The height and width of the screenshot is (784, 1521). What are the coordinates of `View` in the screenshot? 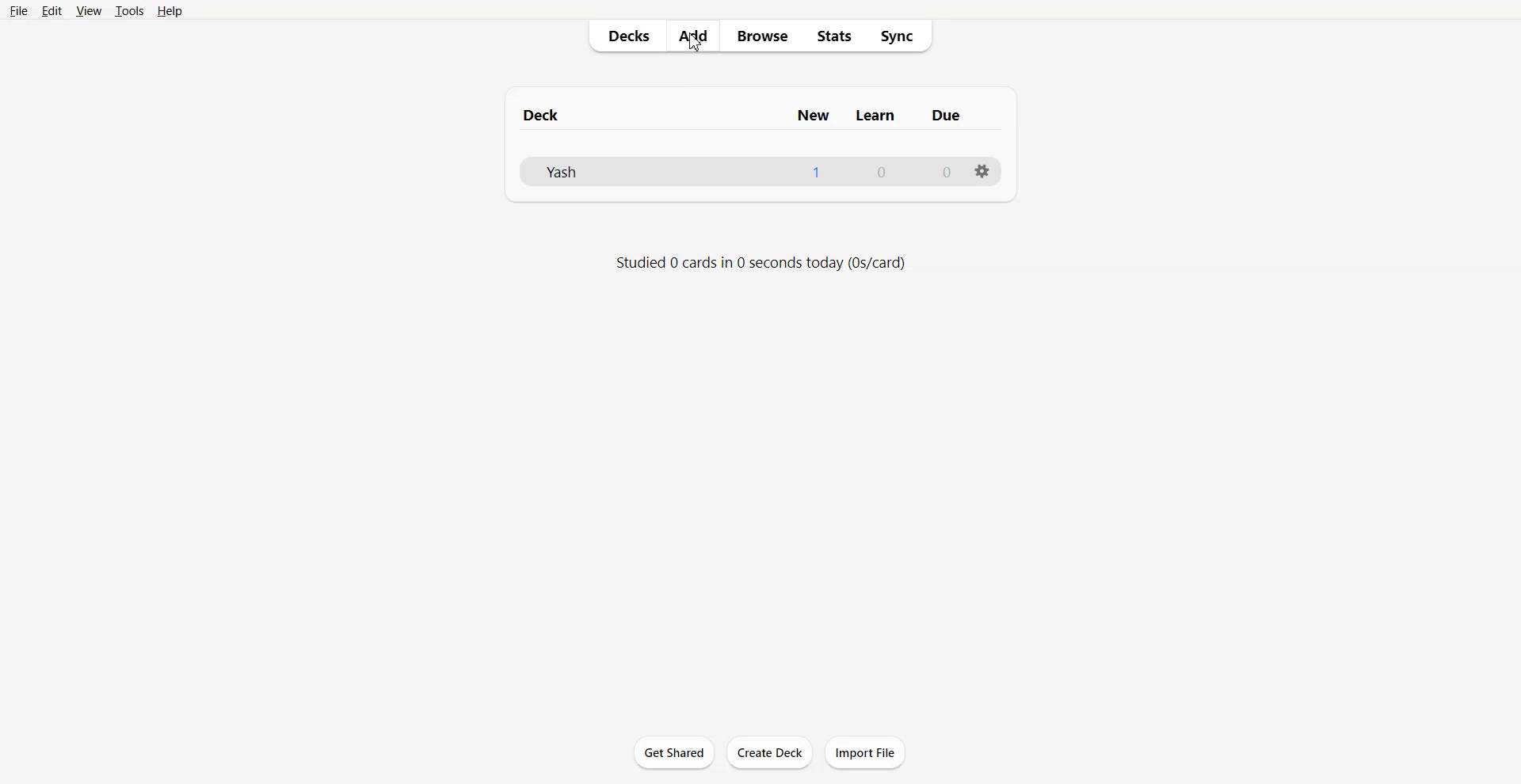 It's located at (89, 12).